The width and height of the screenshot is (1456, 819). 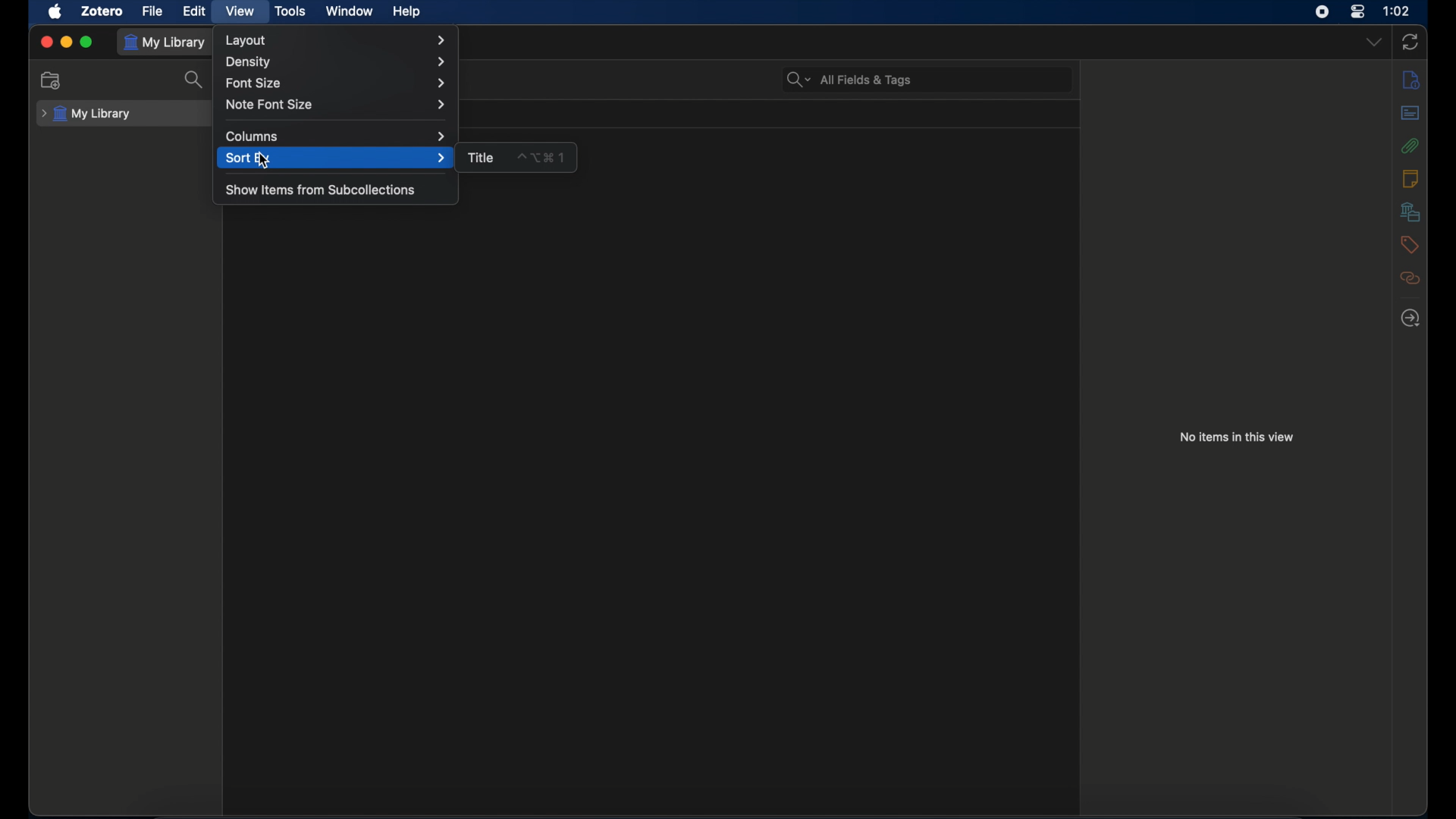 I want to click on font size, so click(x=336, y=83).